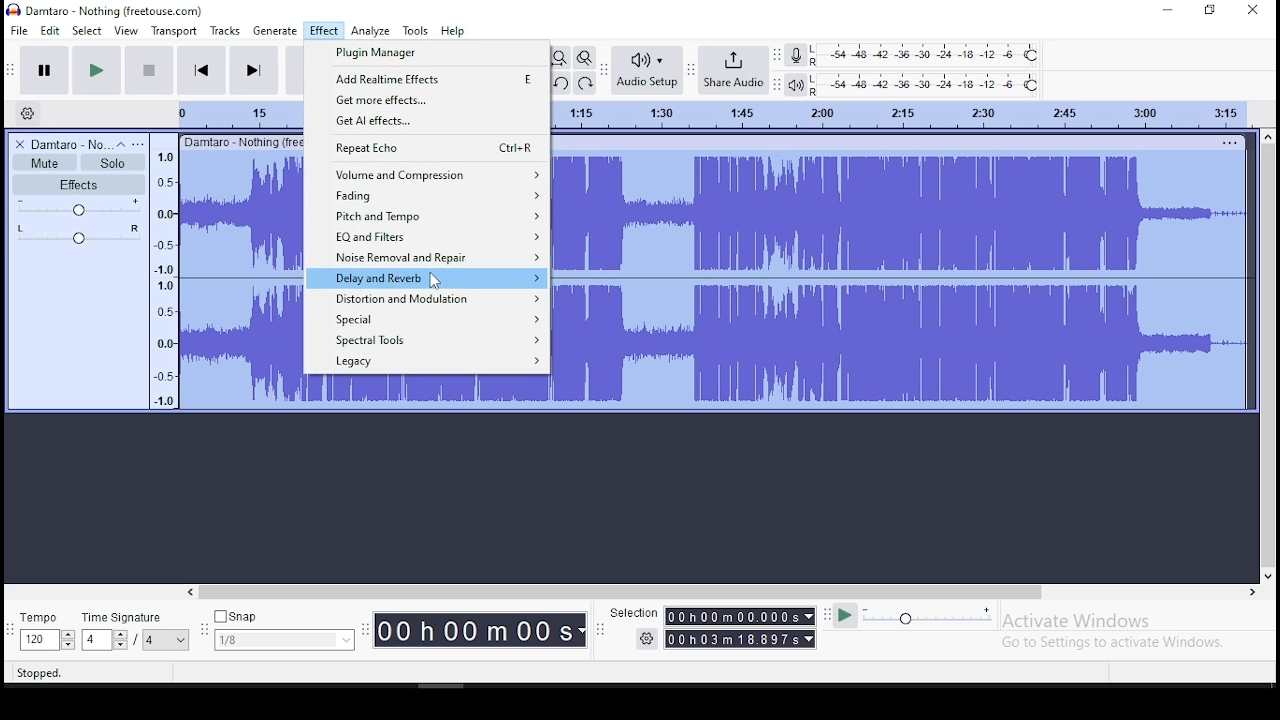  I want to click on distortion and modulation, so click(427, 299).